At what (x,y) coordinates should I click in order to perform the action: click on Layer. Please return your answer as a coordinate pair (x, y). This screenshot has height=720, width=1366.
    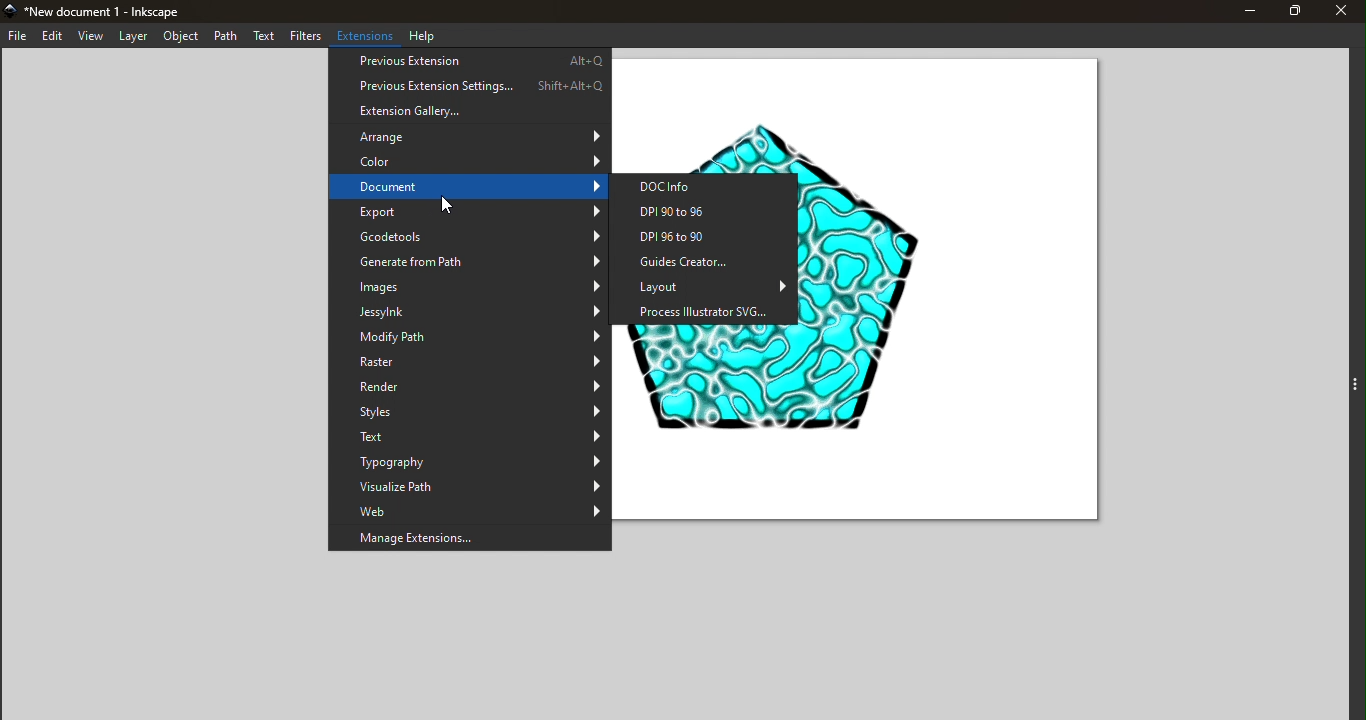
    Looking at the image, I should click on (136, 36).